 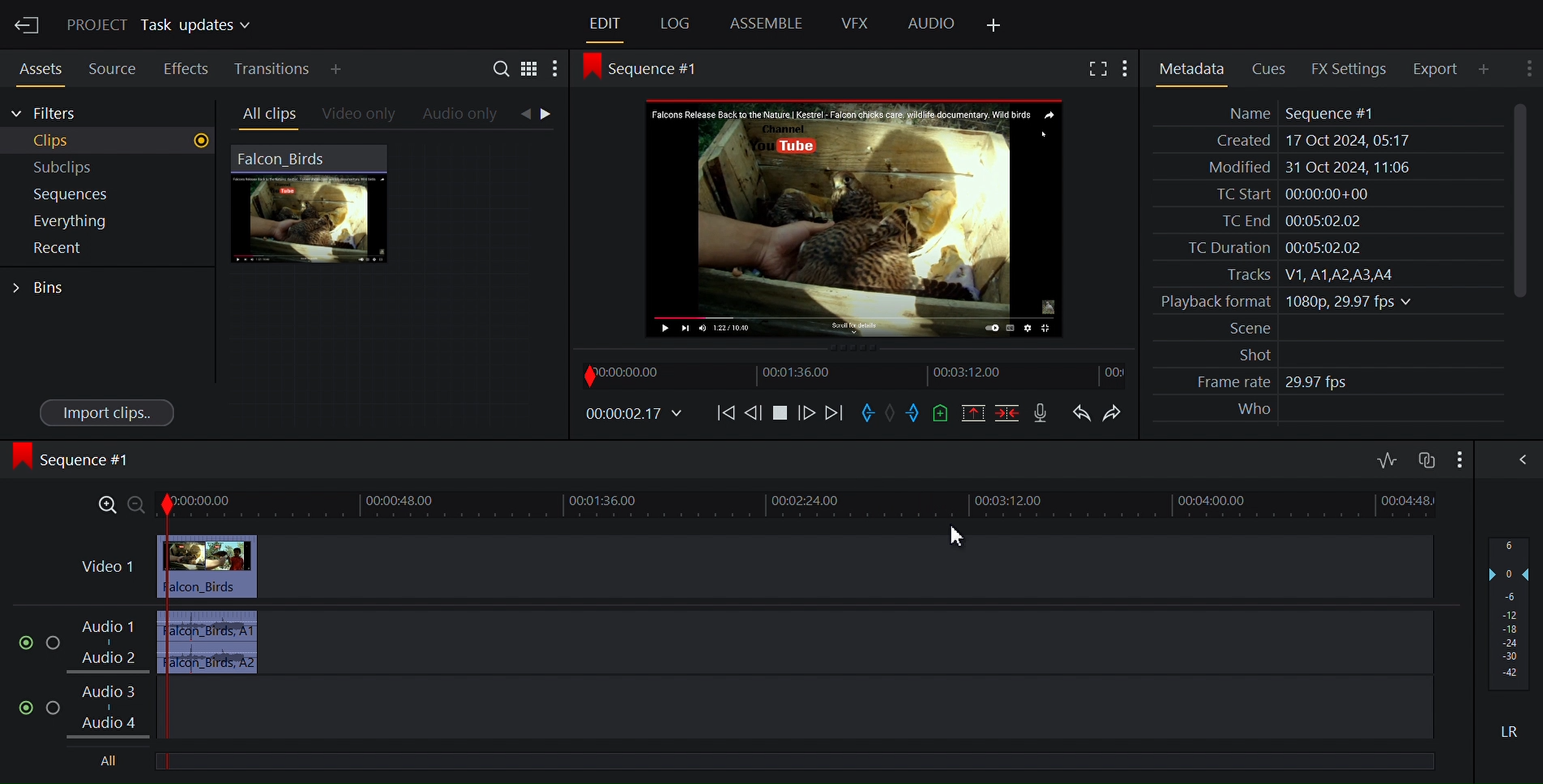 What do you see at coordinates (1082, 411) in the screenshot?
I see `Undo ` at bounding box center [1082, 411].